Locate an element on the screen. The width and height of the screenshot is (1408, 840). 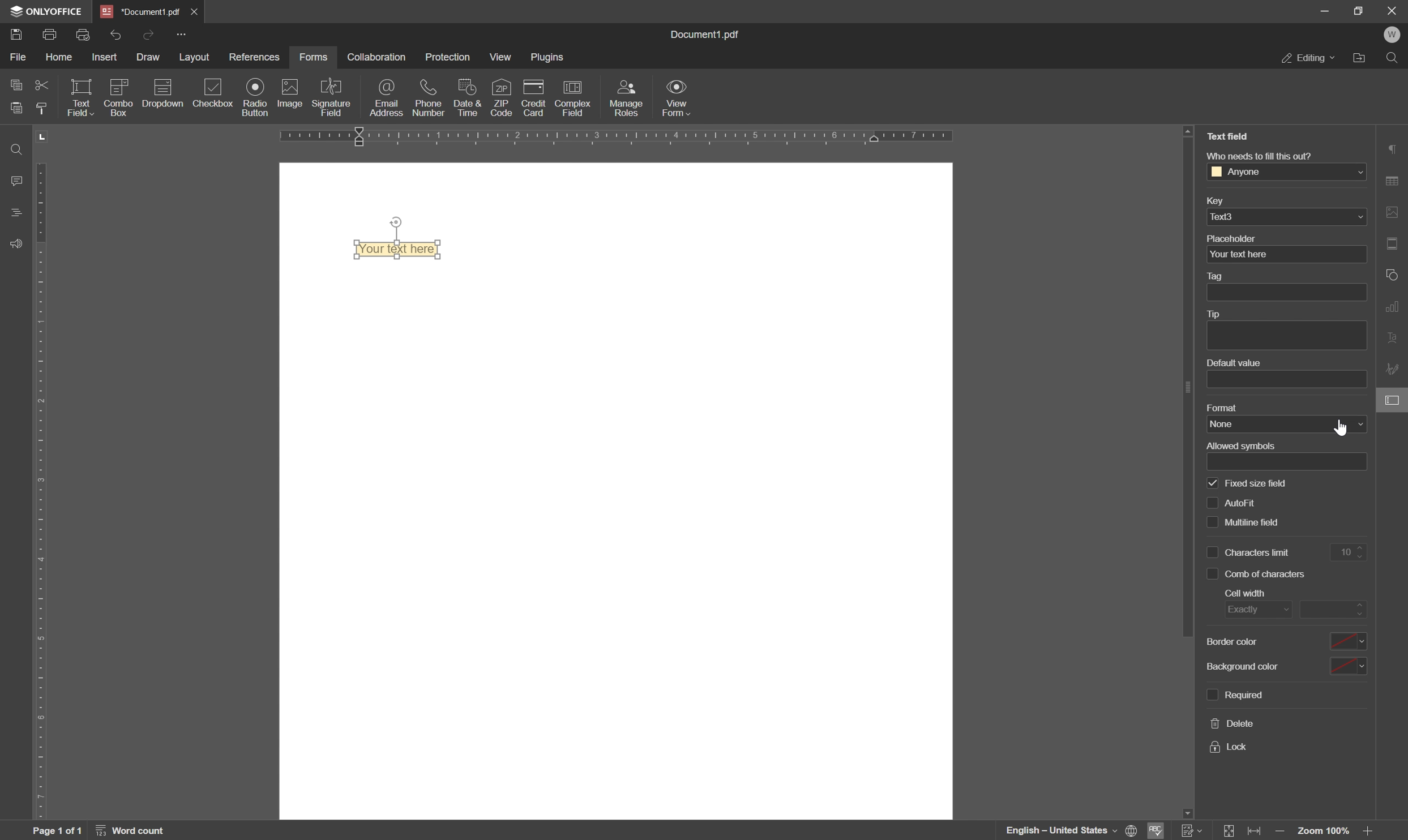
email address is located at coordinates (389, 99).